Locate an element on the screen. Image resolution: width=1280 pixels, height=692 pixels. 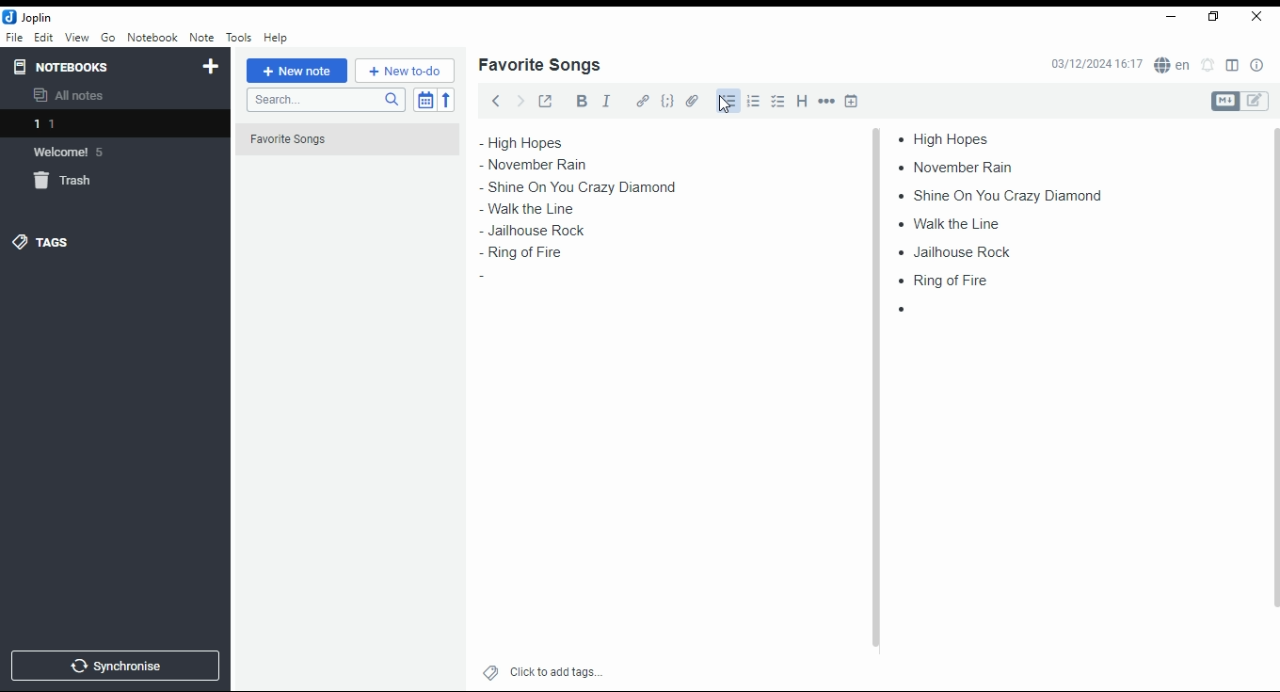
spell checker is located at coordinates (1174, 64).